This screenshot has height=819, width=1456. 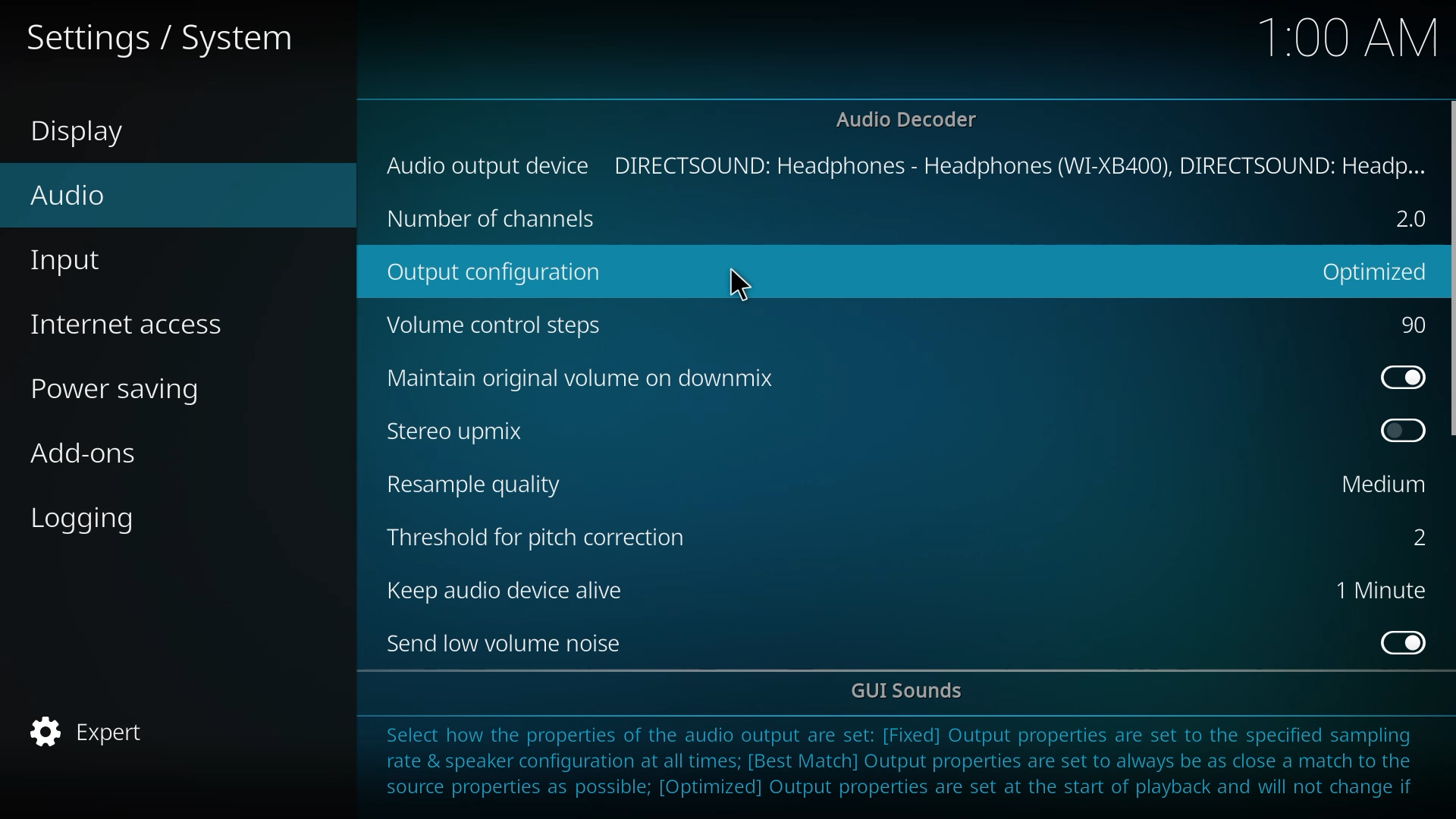 I want to click on time, so click(x=1350, y=39).